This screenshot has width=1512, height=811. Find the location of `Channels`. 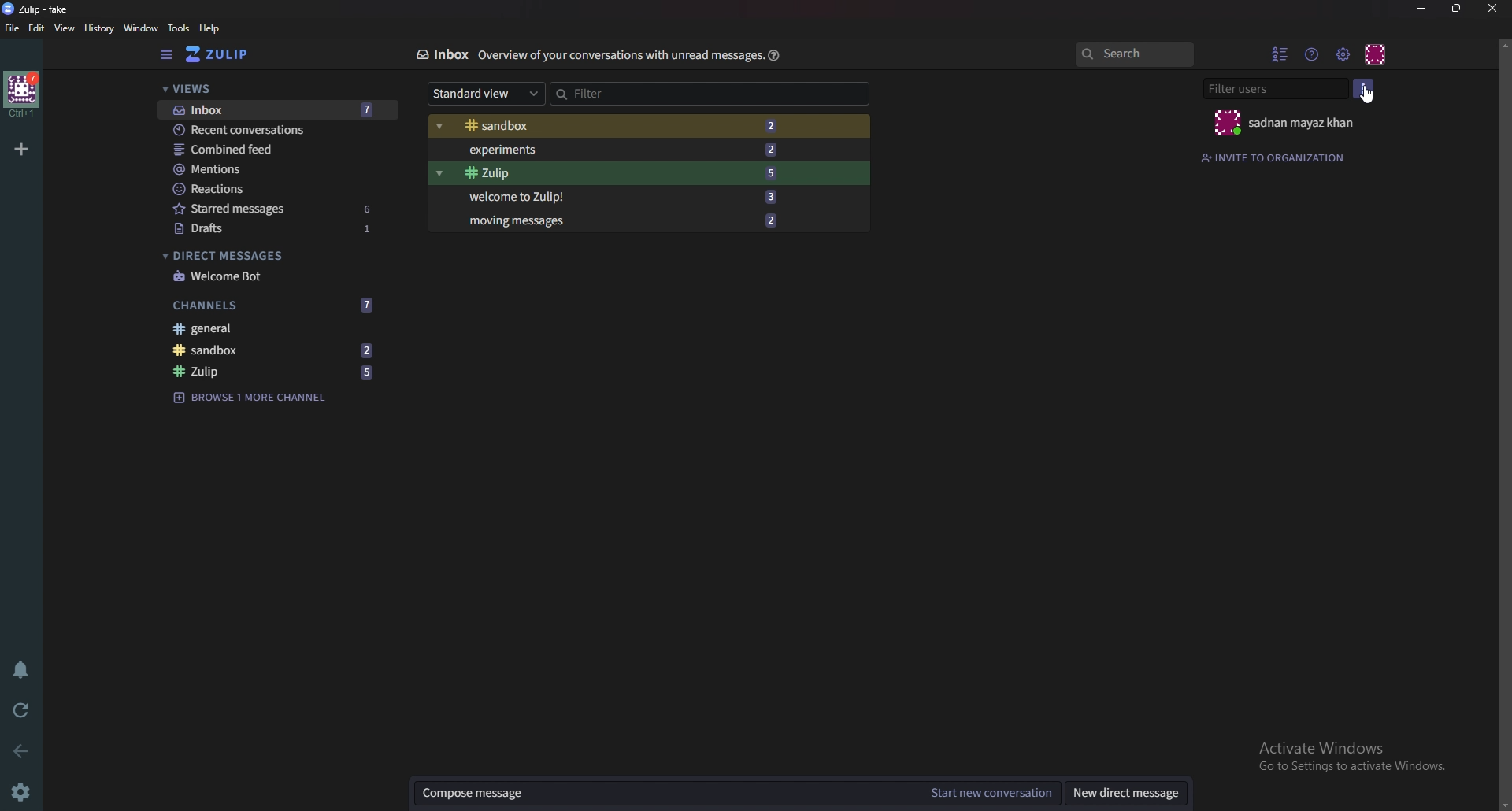

Channels is located at coordinates (275, 305).